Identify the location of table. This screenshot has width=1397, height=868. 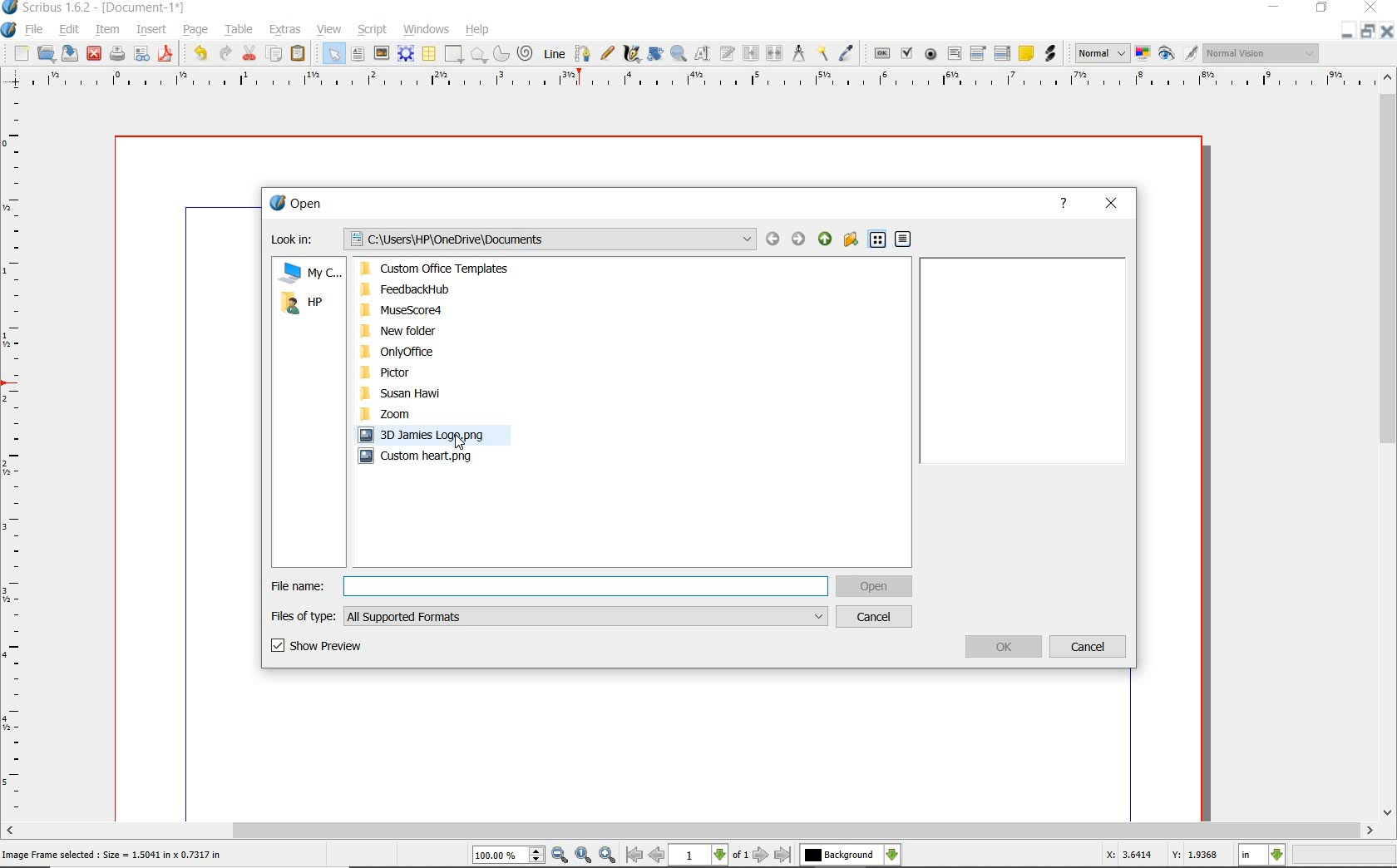
(430, 55).